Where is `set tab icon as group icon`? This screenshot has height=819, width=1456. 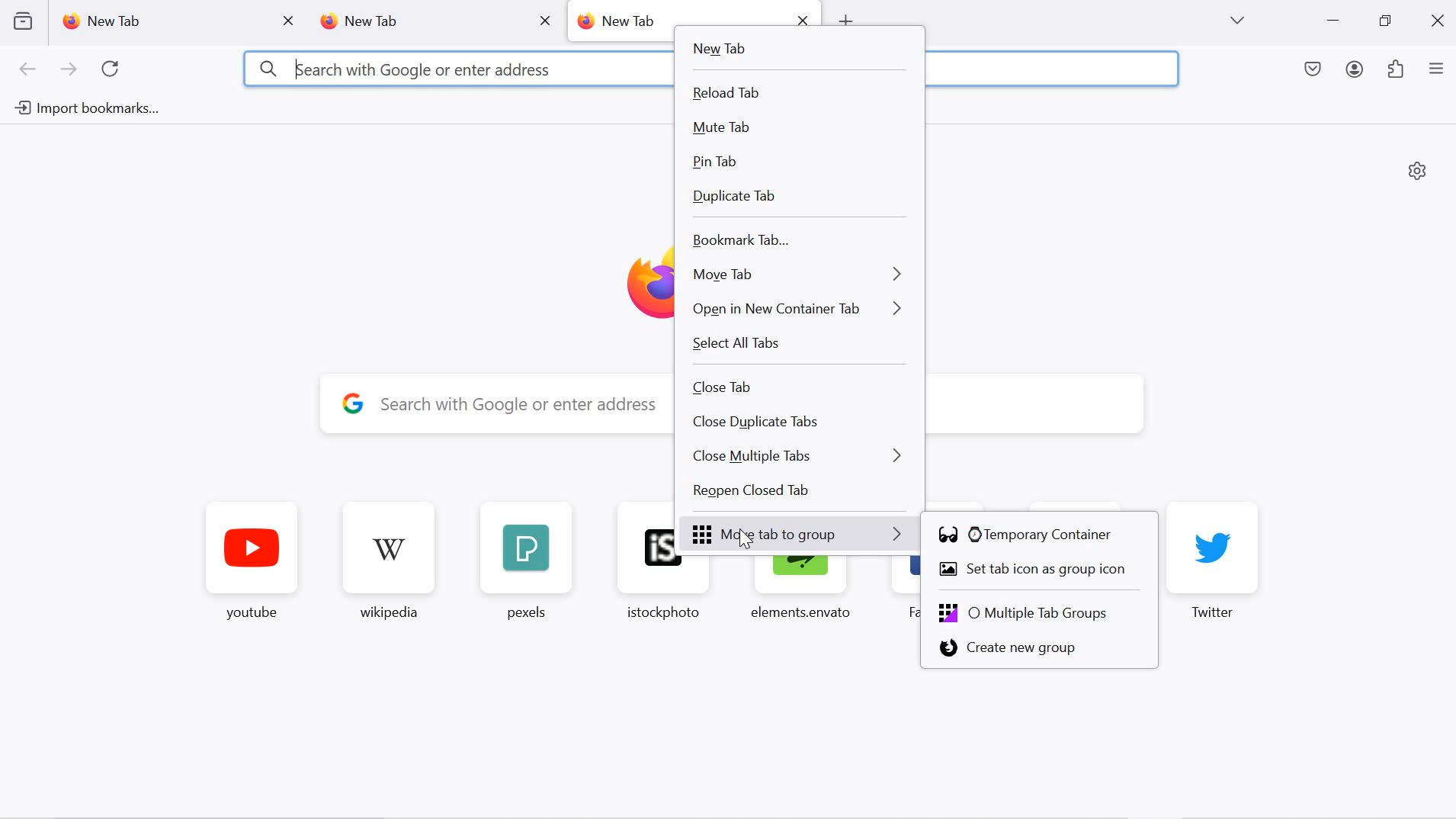 set tab icon as group icon is located at coordinates (1037, 570).